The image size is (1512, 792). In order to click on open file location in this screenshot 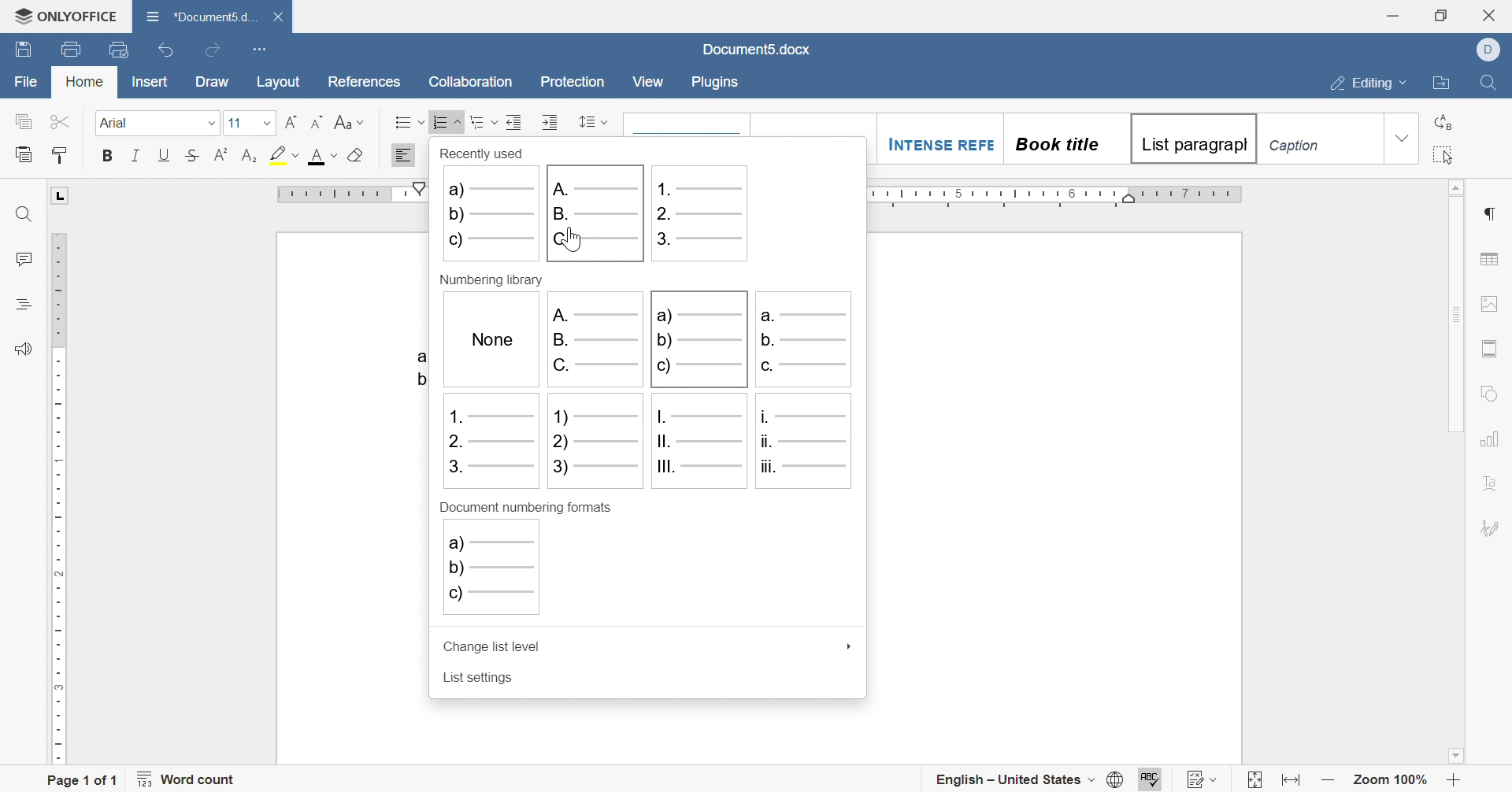, I will do `click(1441, 84)`.